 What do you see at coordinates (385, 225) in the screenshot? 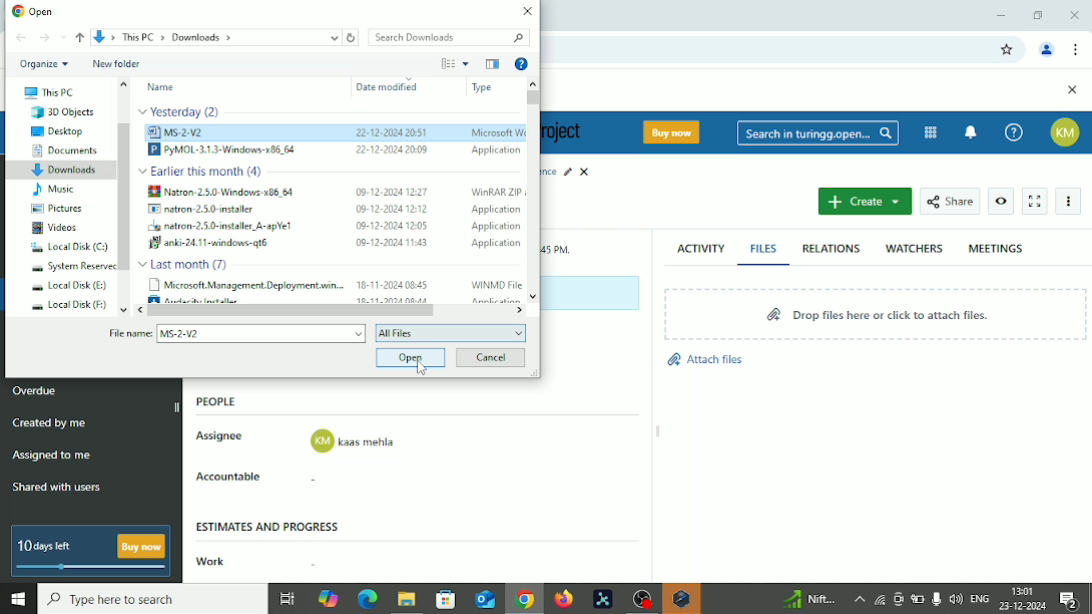
I see `09-12-2004 1205` at bounding box center [385, 225].